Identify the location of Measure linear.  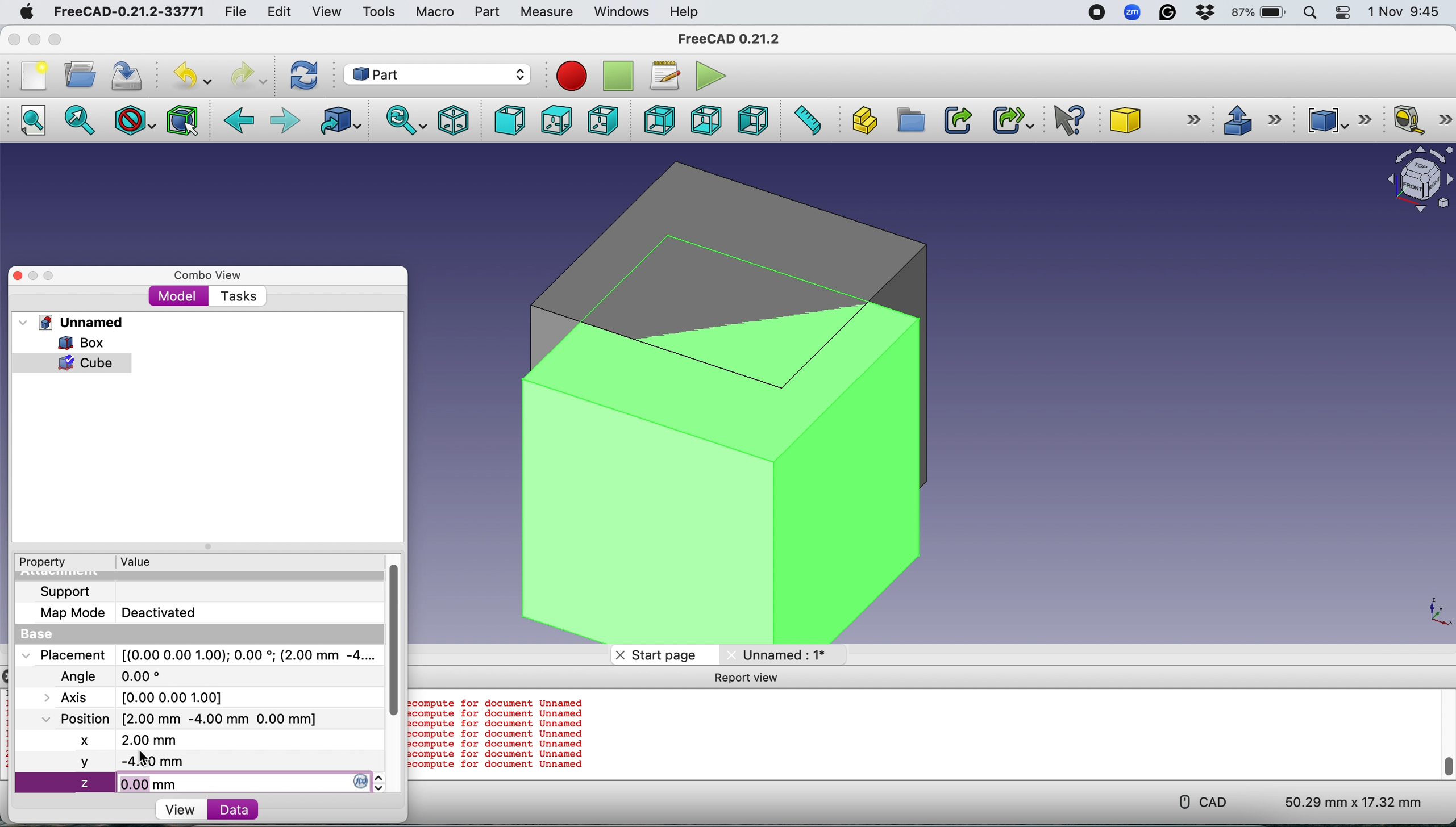
(1422, 122).